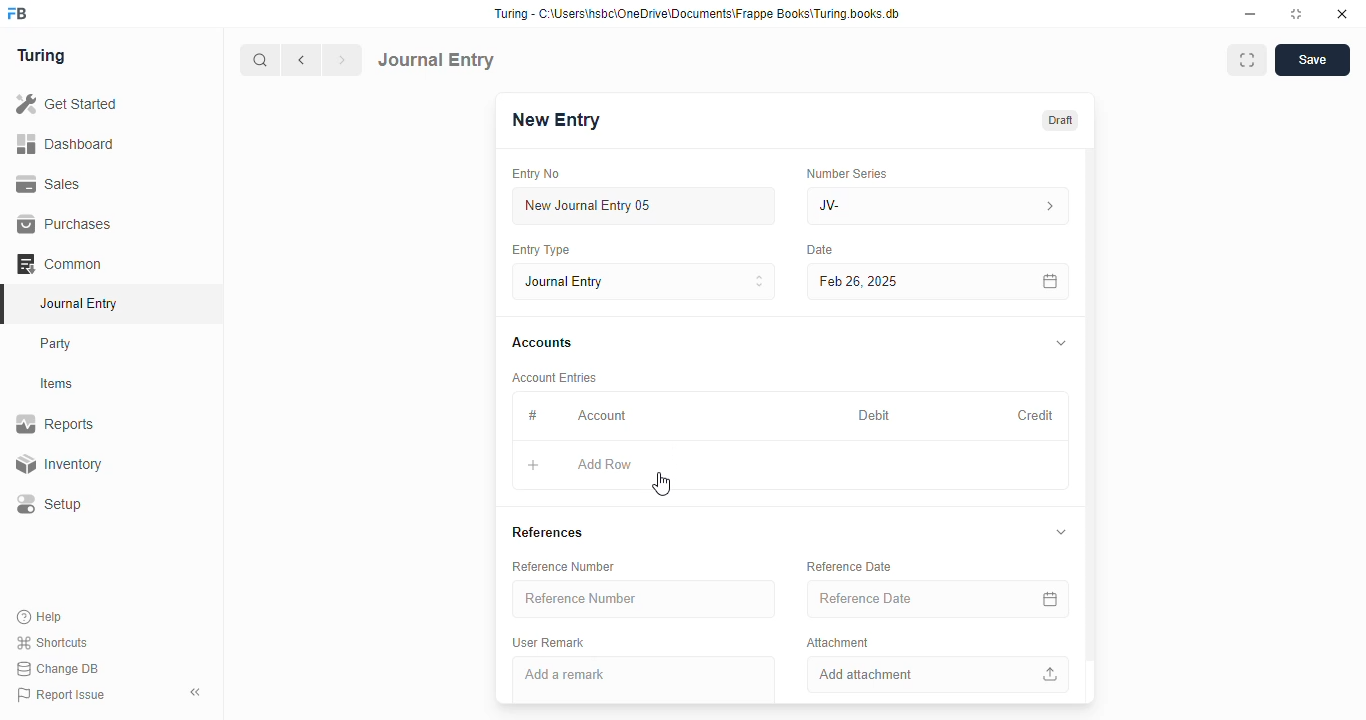  I want to click on toggle expand/collapse, so click(1062, 344).